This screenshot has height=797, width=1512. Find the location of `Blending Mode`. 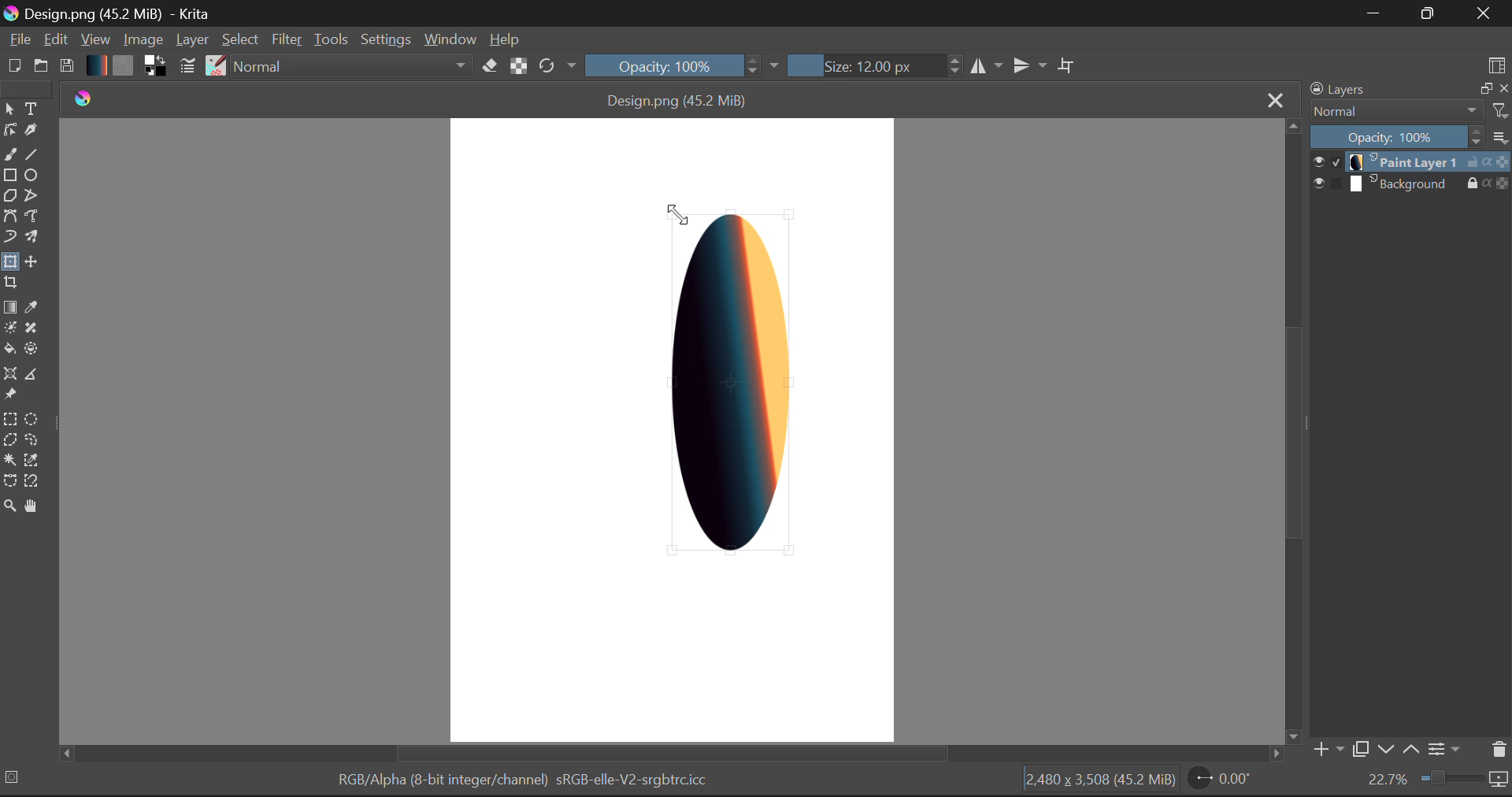

Blending Mode is located at coordinates (353, 65).